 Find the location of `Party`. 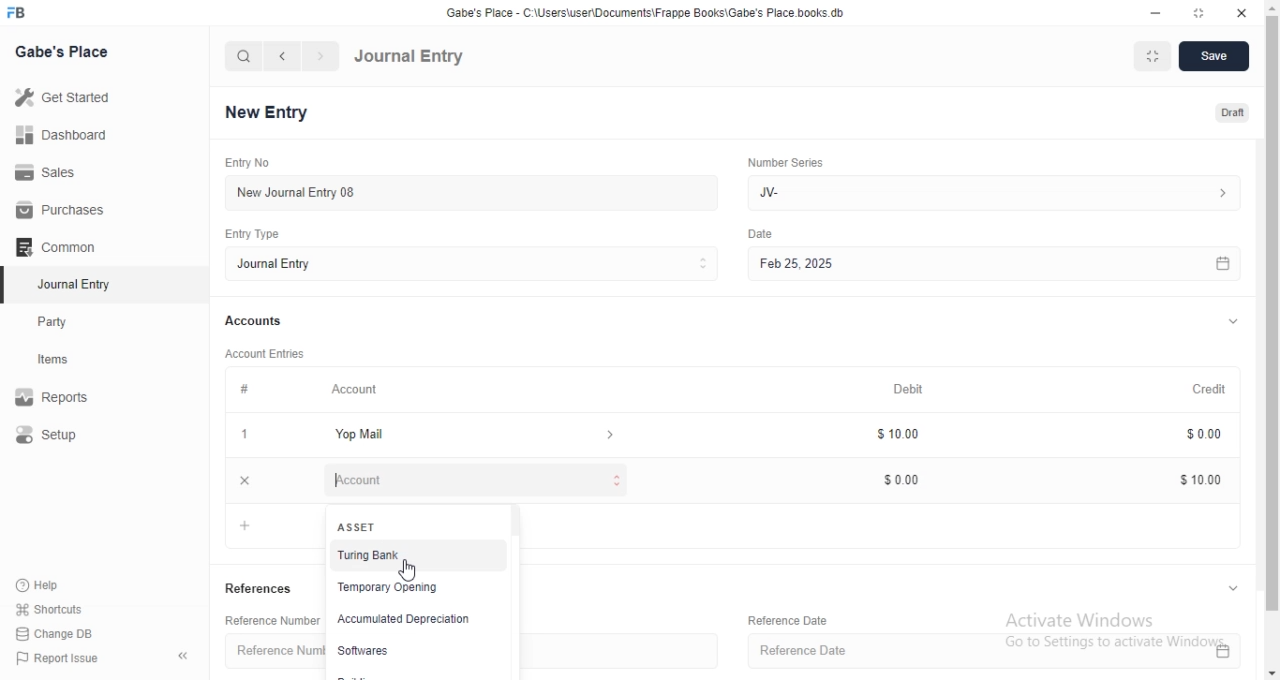

Party is located at coordinates (72, 322).